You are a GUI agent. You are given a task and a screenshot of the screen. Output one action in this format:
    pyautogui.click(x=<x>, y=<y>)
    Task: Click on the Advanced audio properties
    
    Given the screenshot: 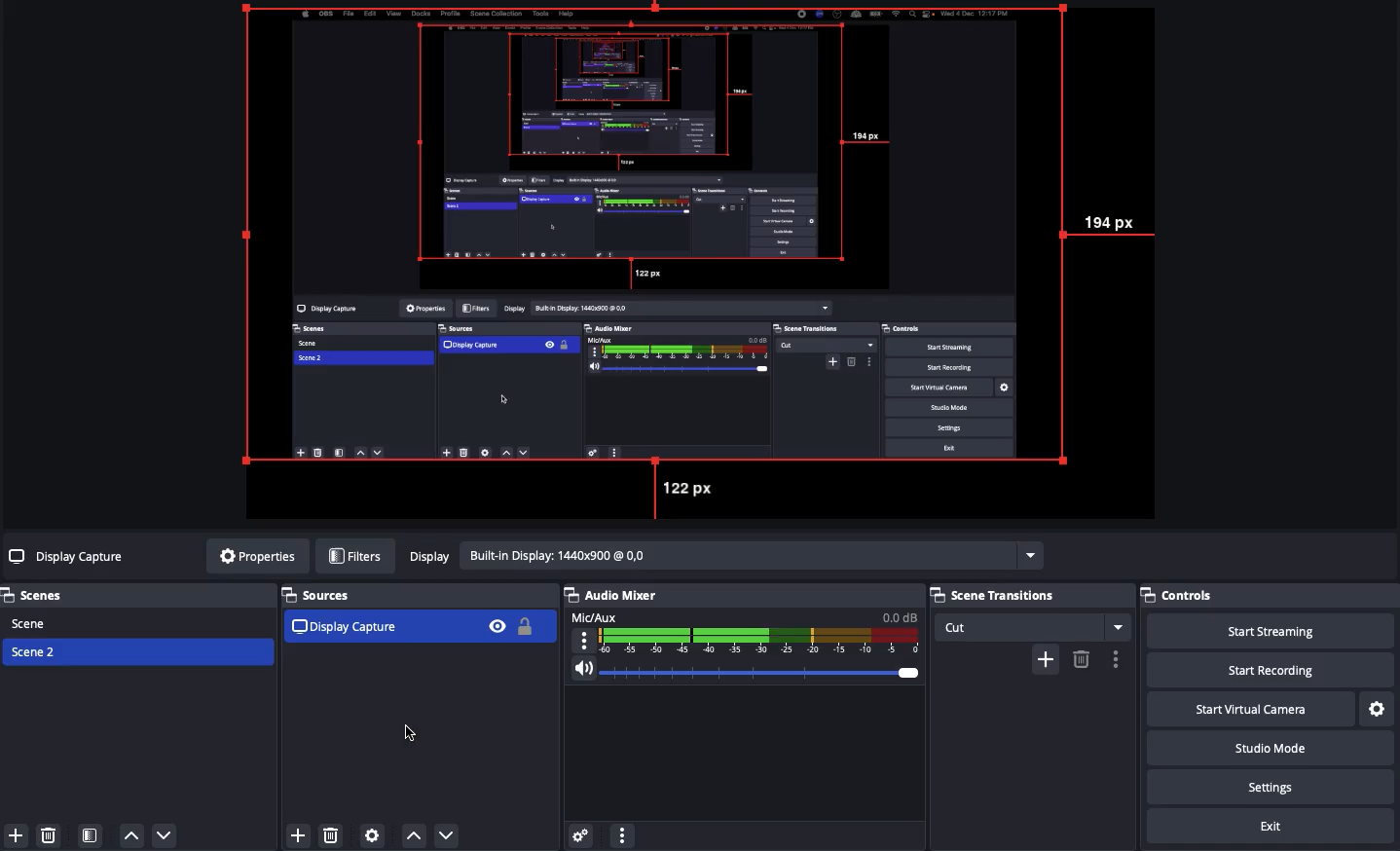 What is the action you would take?
    pyautogui.click(x=581, y=832)
    